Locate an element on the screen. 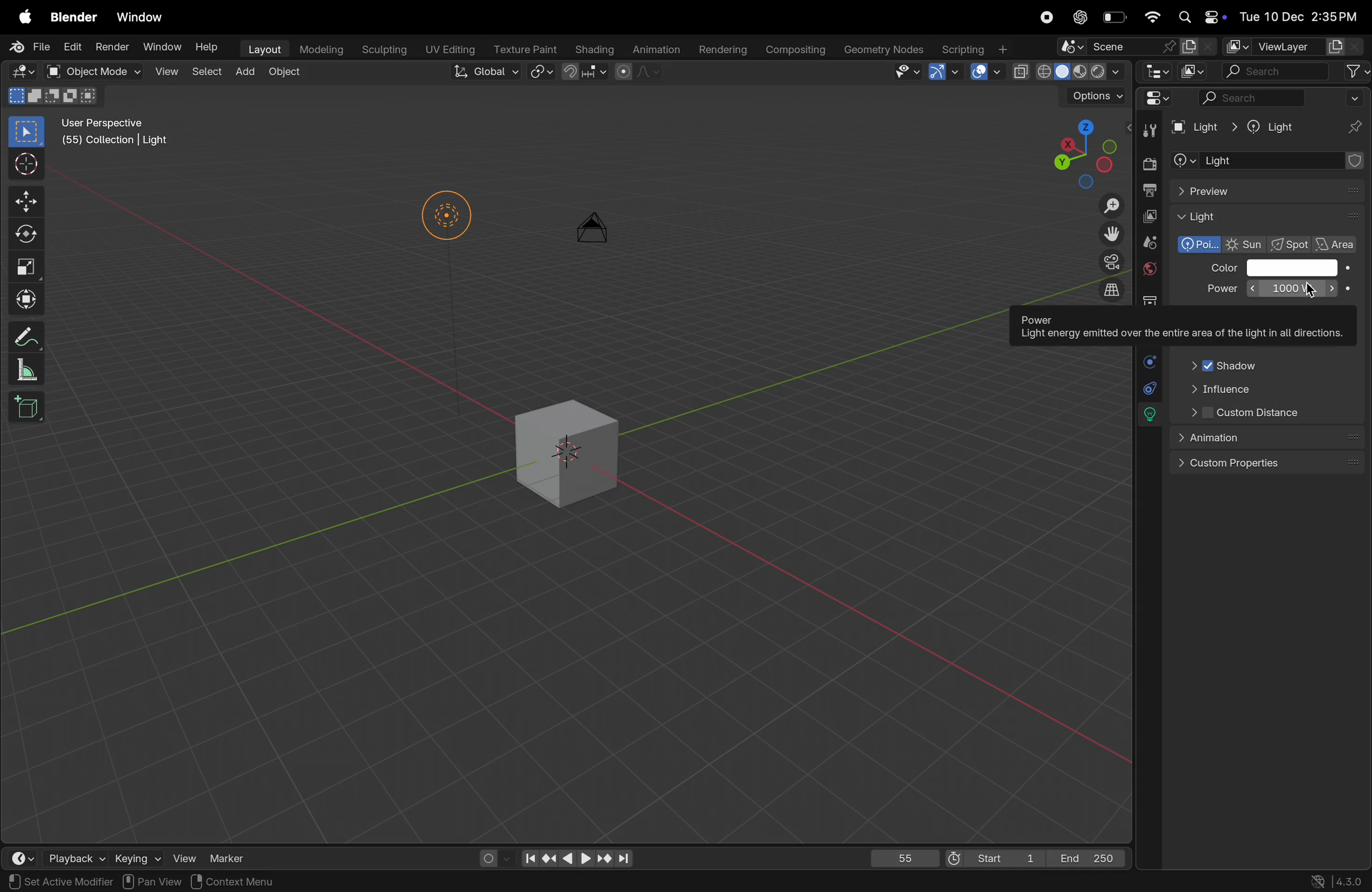 The image size is (1372, 892). transform is located at coordinates (28, 302).